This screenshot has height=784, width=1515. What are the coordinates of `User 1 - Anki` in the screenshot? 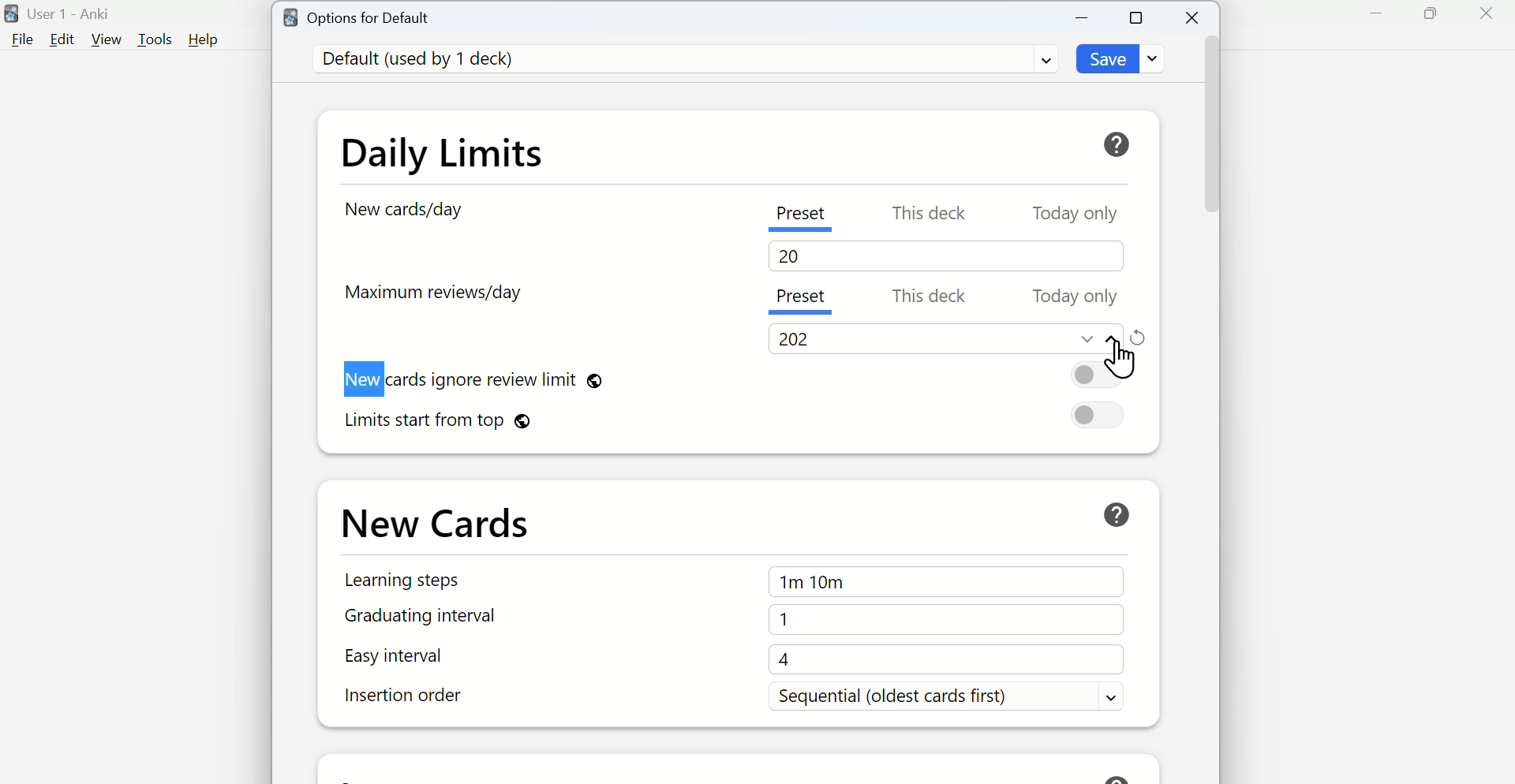 It's located at (61, 14).